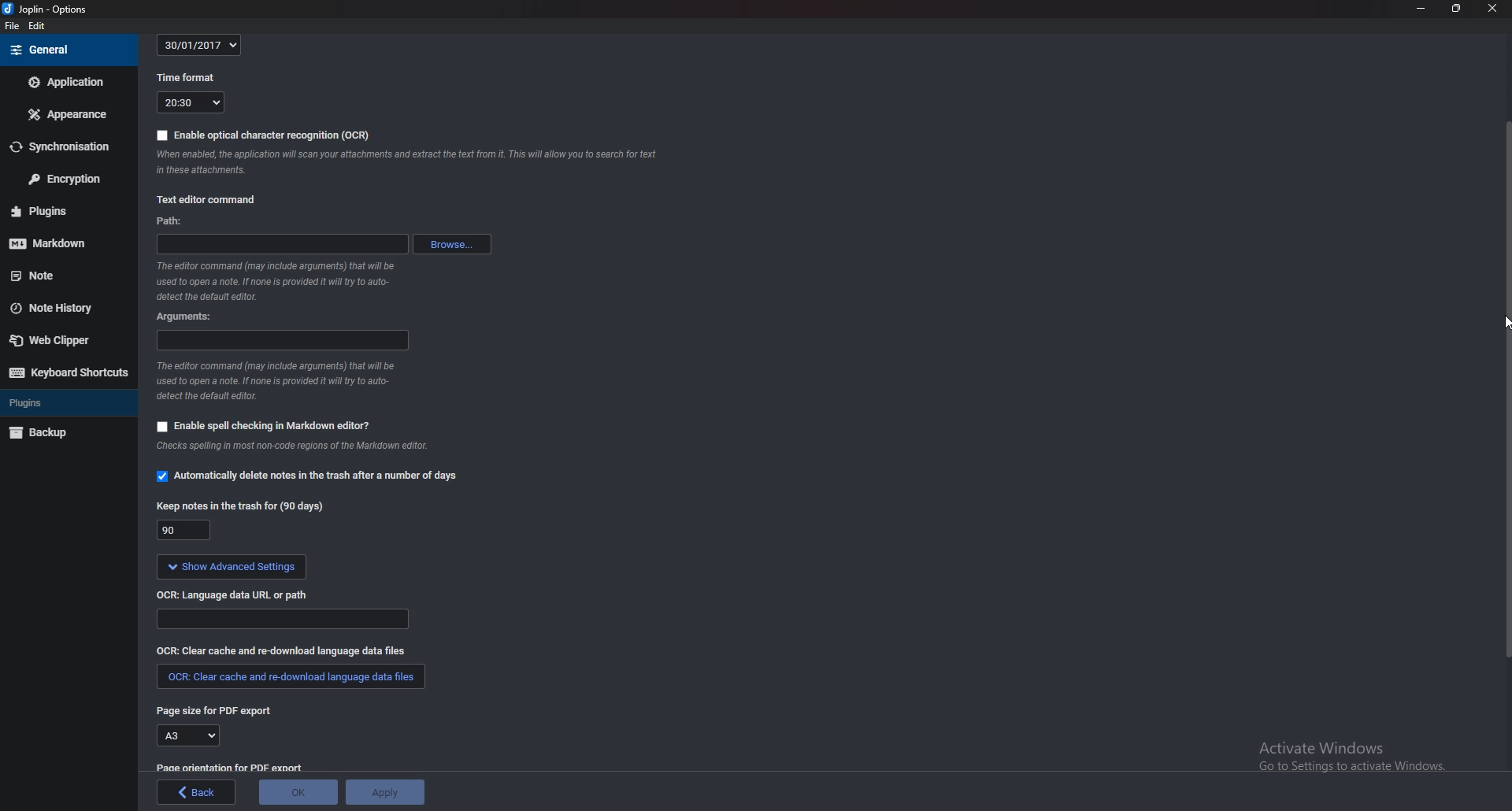 Image resolution: width=1512 pixels, height=811 pixels. What do you see at coordinates (385, 793) in the screenshot?
I see `Apply` at bounding box center [385, 793].